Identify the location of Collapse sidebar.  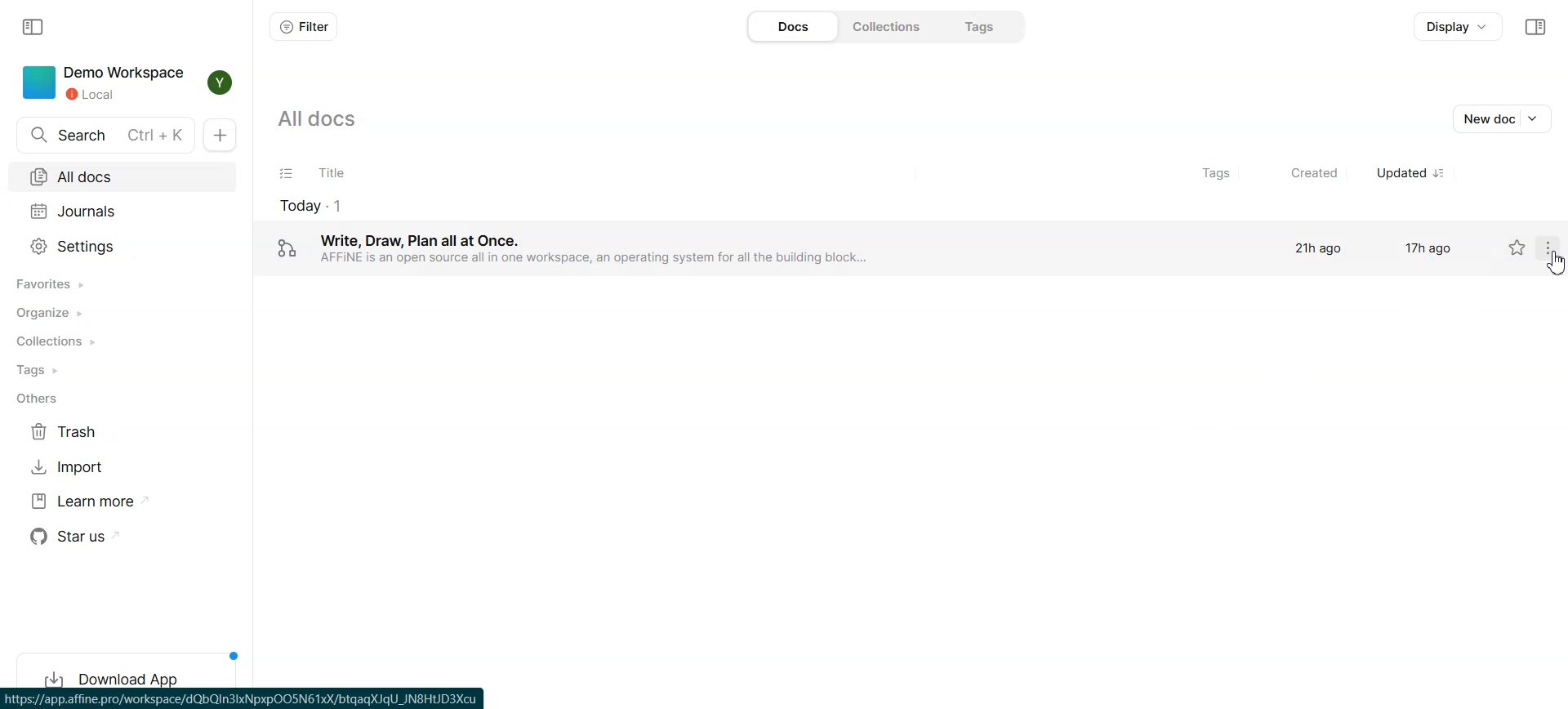
(33, 26).